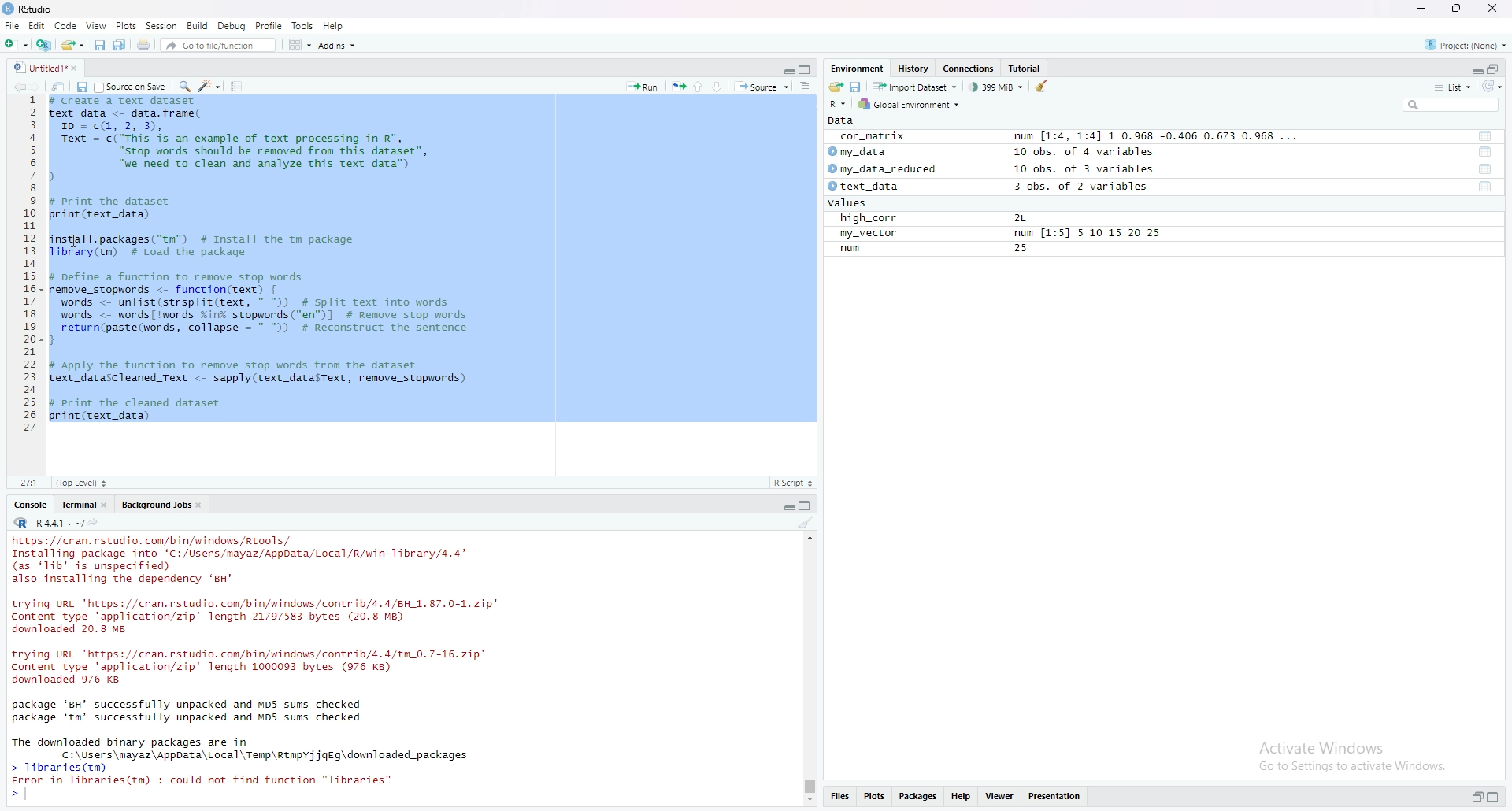  Describe the element at coordinates (1453, 105) in the screenshot. I see `search` at that location.